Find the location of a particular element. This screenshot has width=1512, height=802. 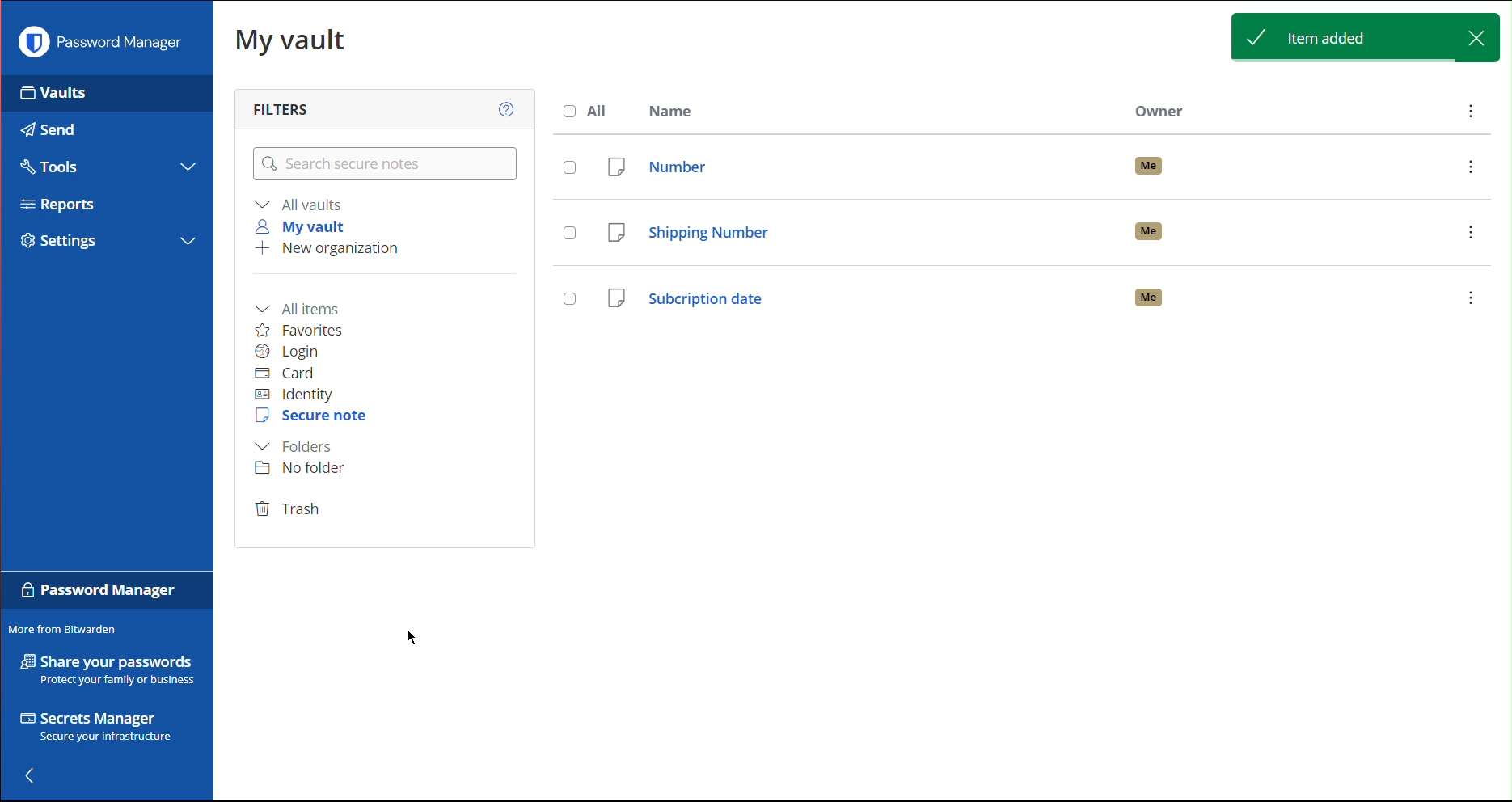

Identity is located at coordinates (298, 397).